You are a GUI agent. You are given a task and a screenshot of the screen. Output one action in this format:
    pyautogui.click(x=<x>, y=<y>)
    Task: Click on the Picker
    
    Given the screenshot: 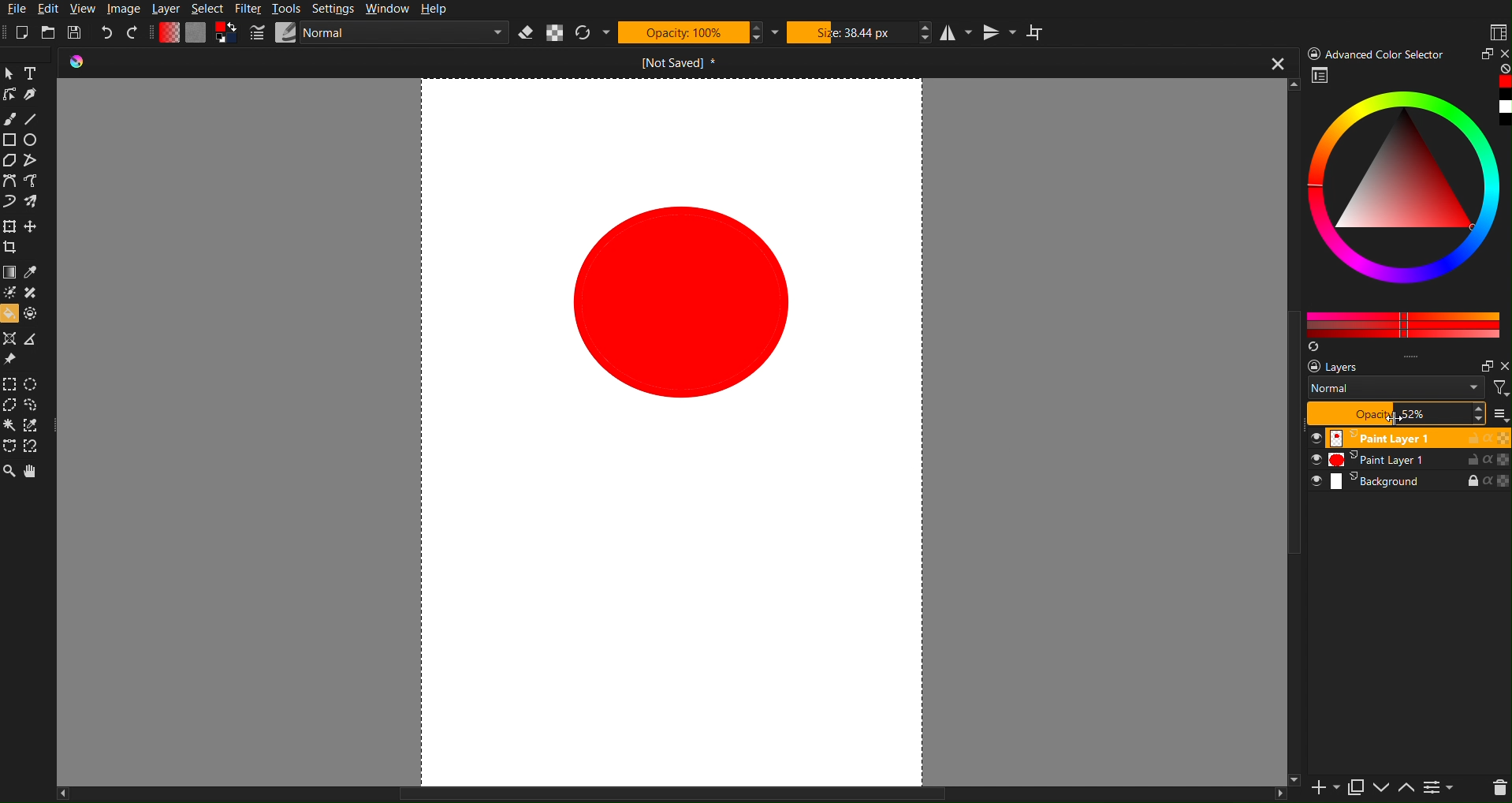 What is the action you would take?
    pyautogui.click(x=1319, y=78)
    